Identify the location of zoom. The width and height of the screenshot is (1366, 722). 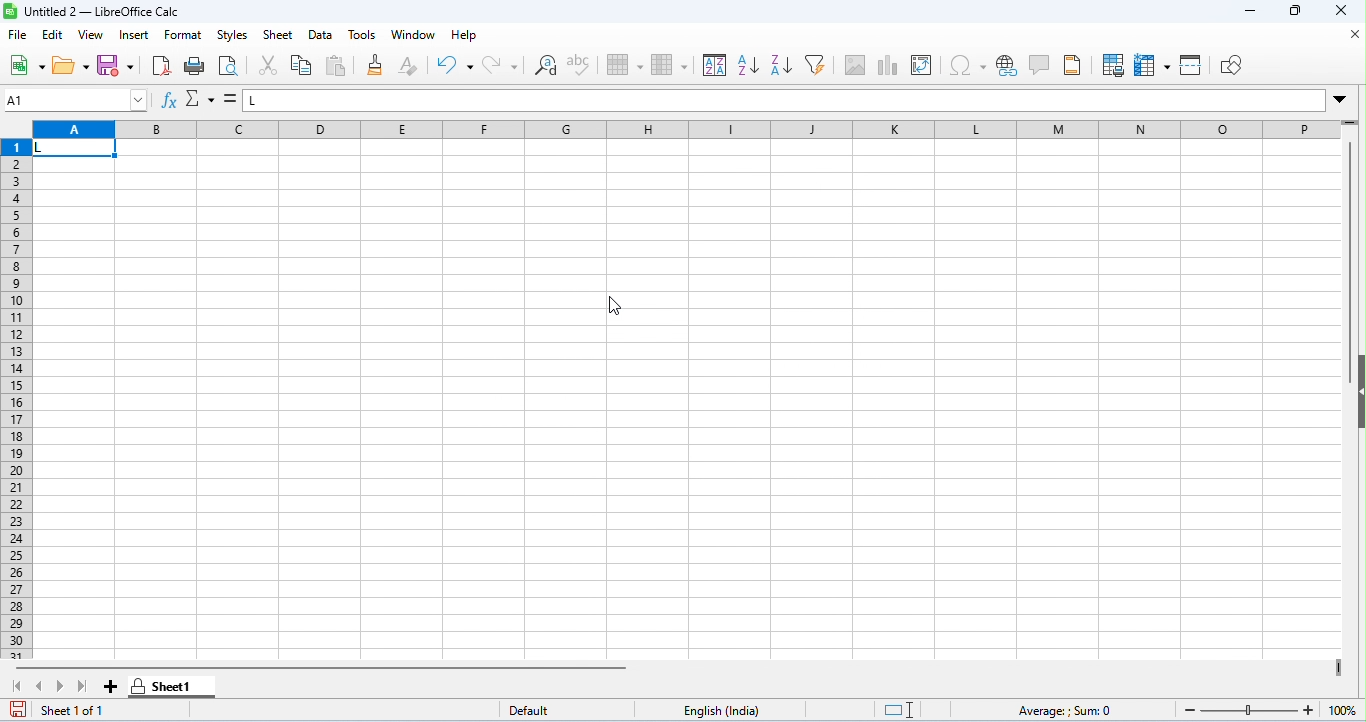
(1266, 708).